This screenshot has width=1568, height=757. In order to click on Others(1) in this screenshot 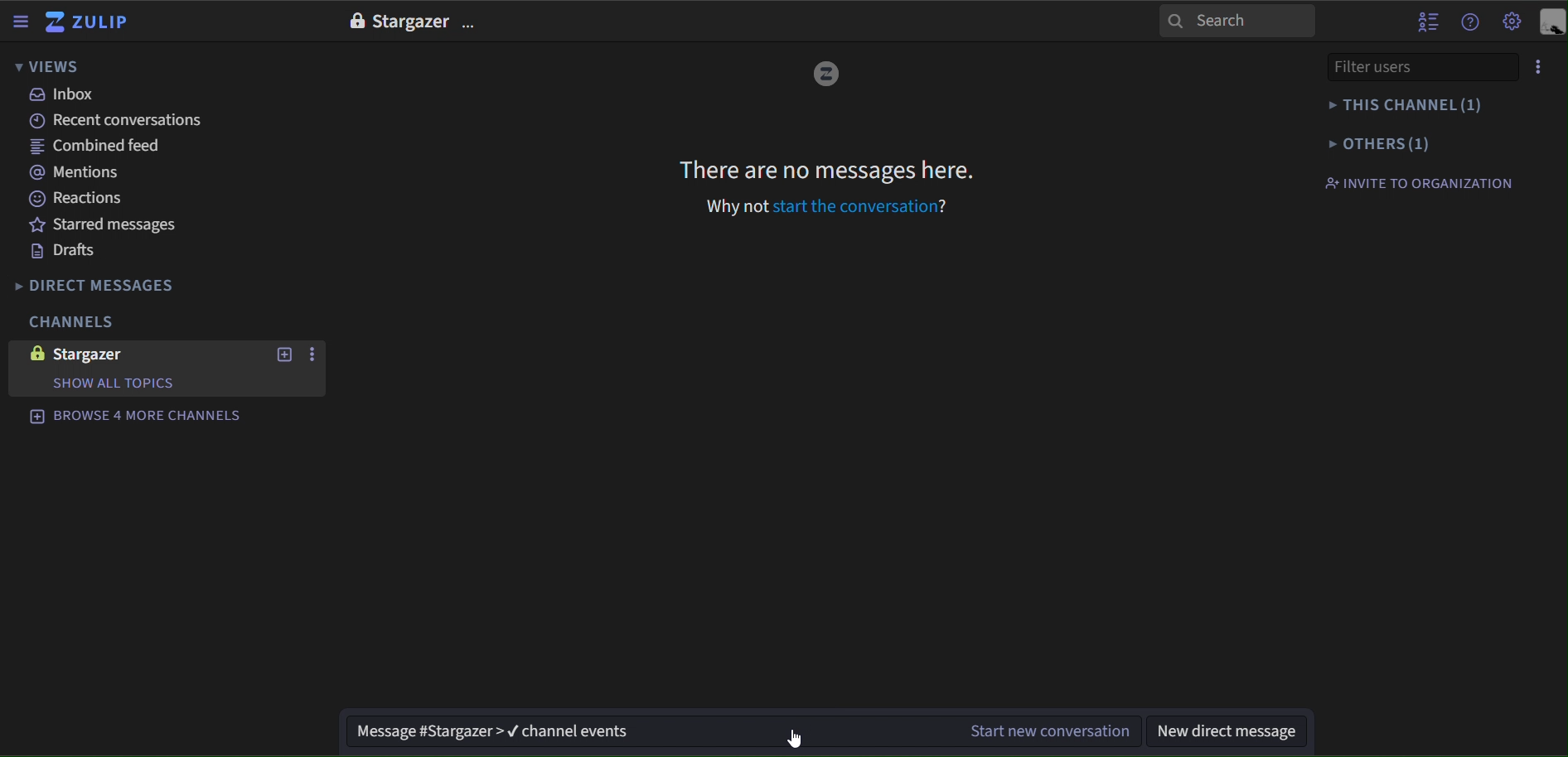, I will do `click(1414, 142)`.